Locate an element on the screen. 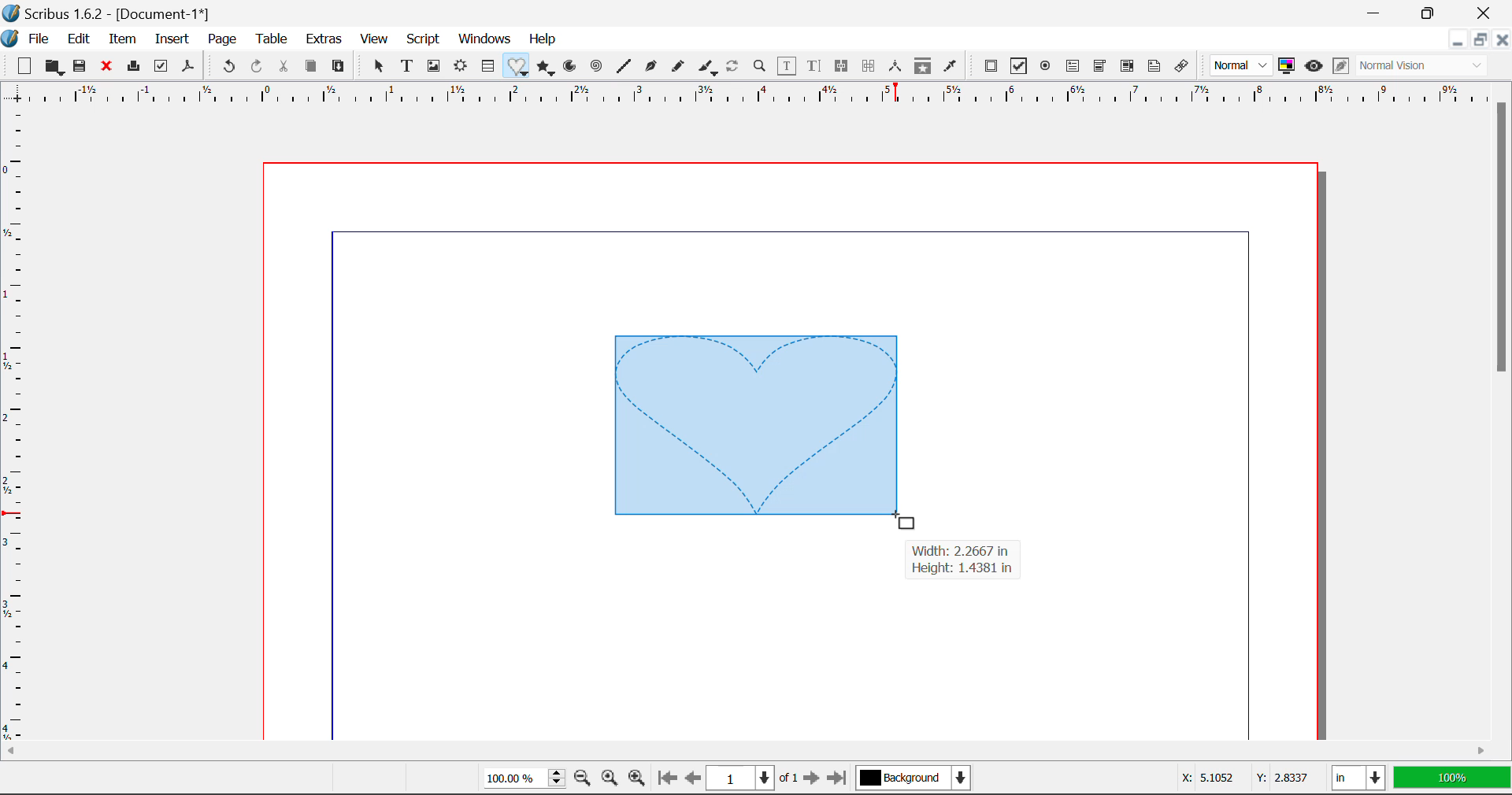 This screenshot has width=1512, height=795. Open is located at coordinates (55, 67).